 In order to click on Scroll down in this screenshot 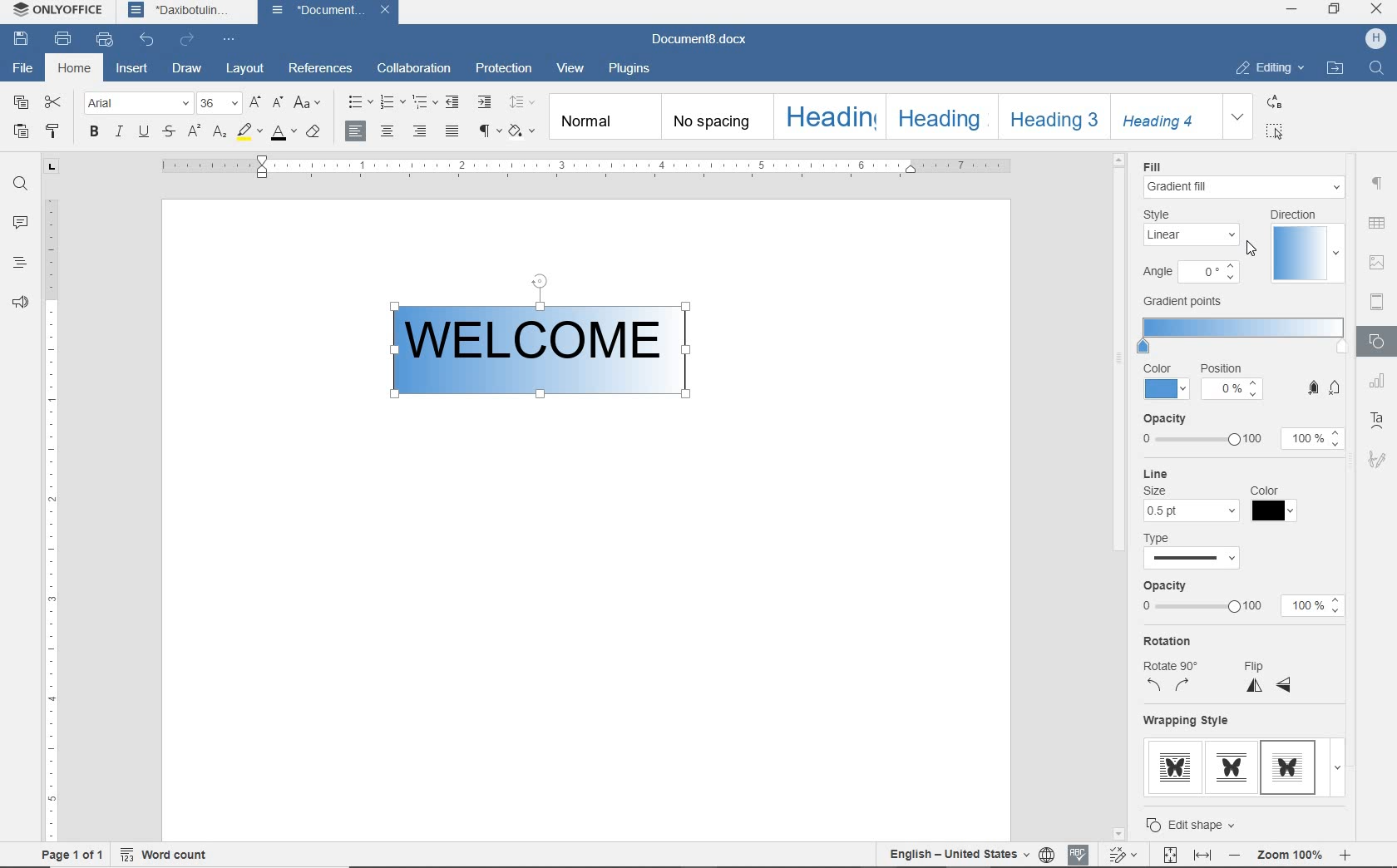, I will do `click(1118, 835)`.